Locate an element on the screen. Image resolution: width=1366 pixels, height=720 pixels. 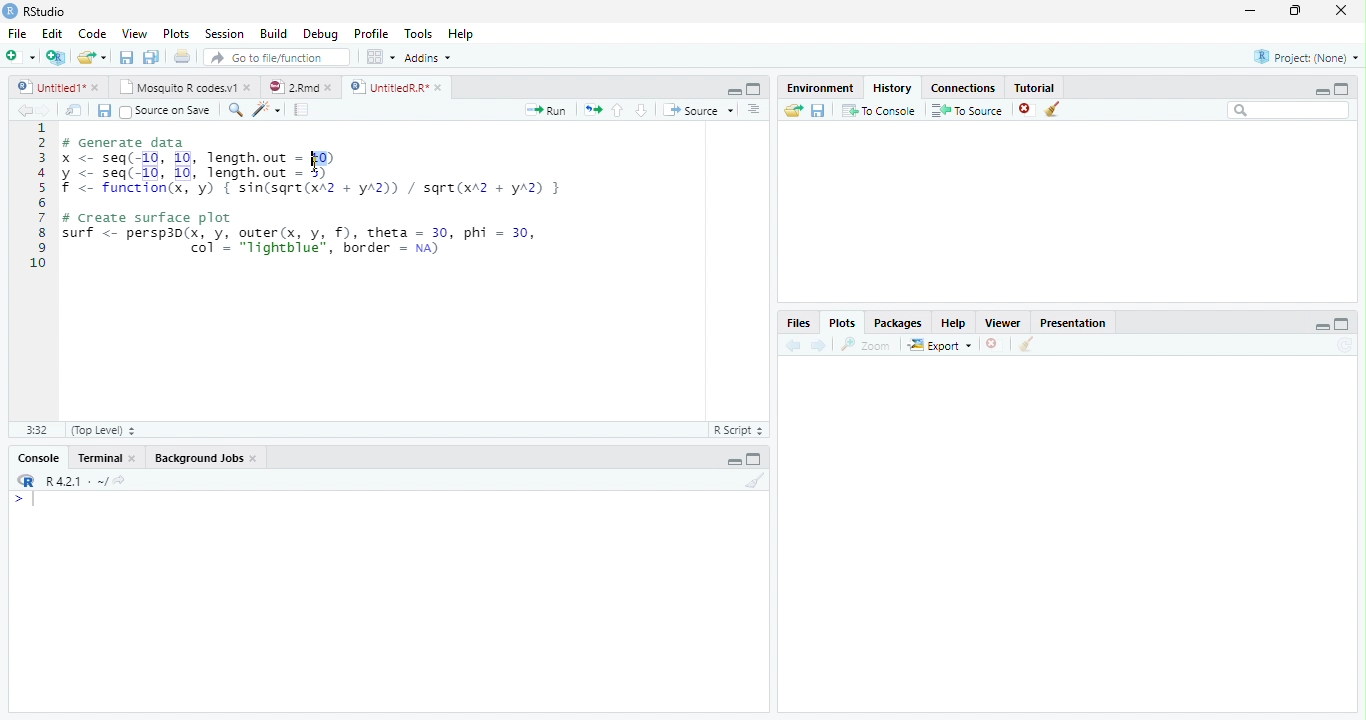
Tools is located at coordinates (416, 32).